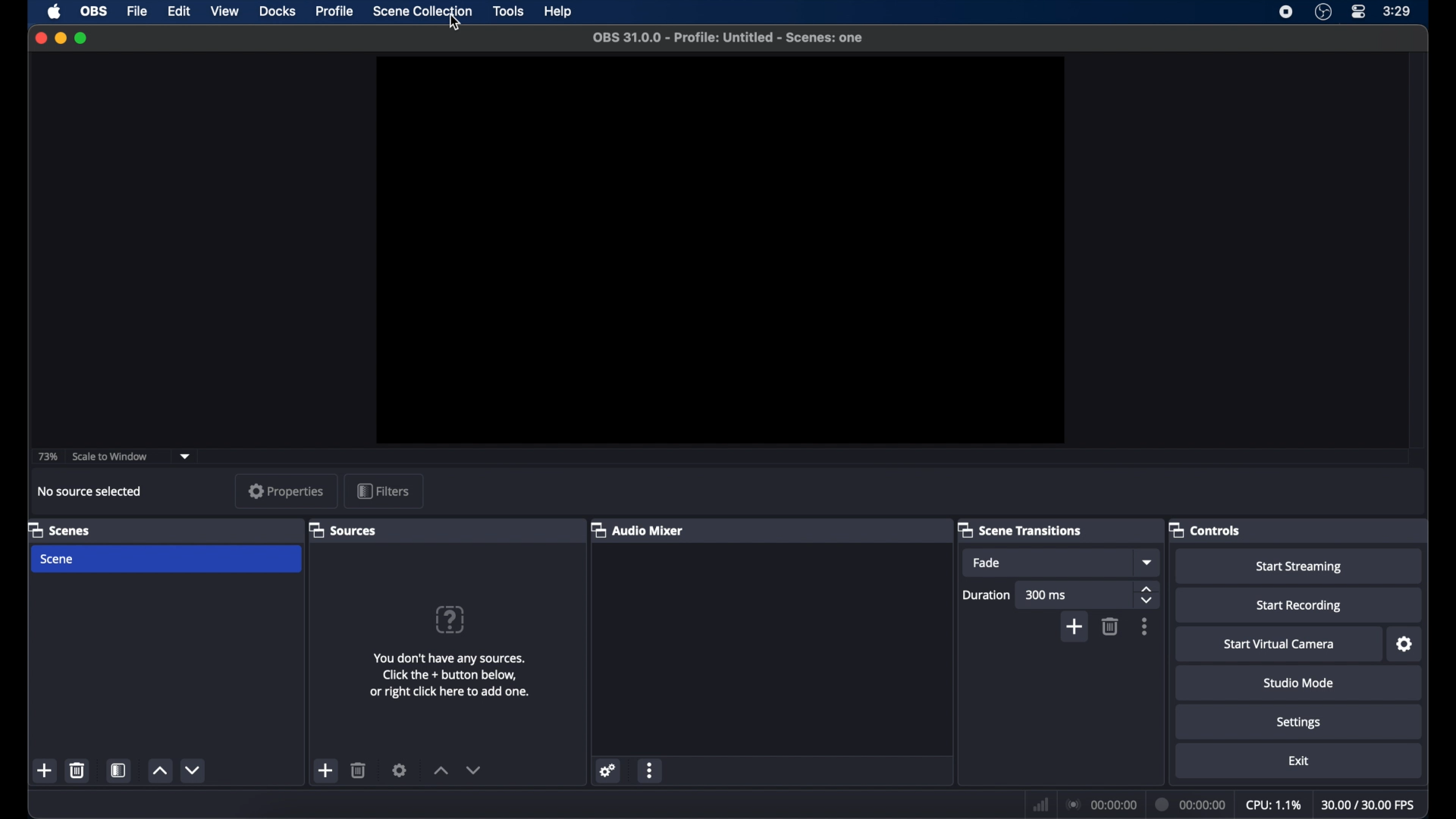  Describe the element at coordinates (335, 11) in the screenshot. I see `profile` at that location.